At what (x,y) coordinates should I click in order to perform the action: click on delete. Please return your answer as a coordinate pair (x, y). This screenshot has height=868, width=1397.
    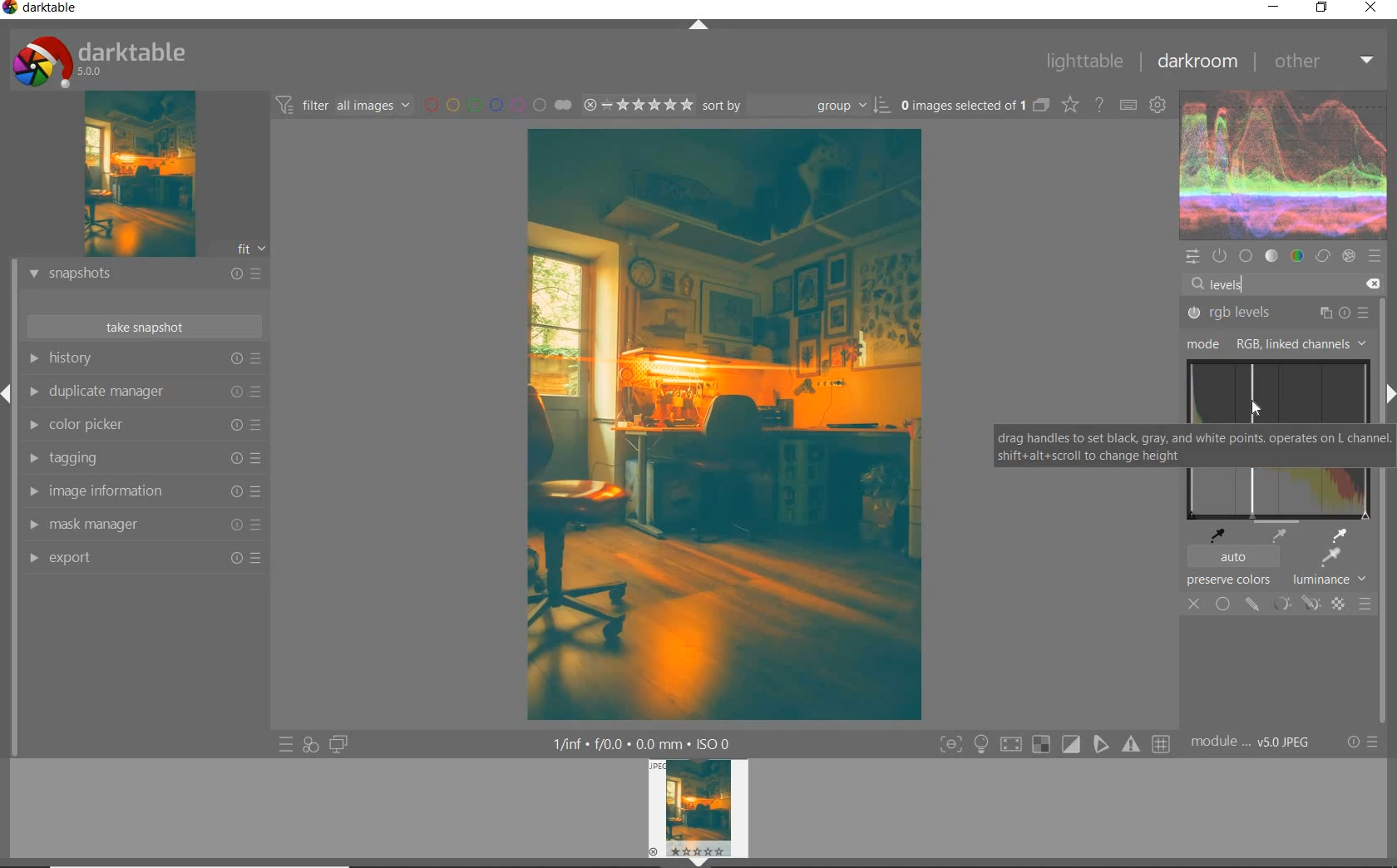
    Looking at the image, I should click on (1374, 284).